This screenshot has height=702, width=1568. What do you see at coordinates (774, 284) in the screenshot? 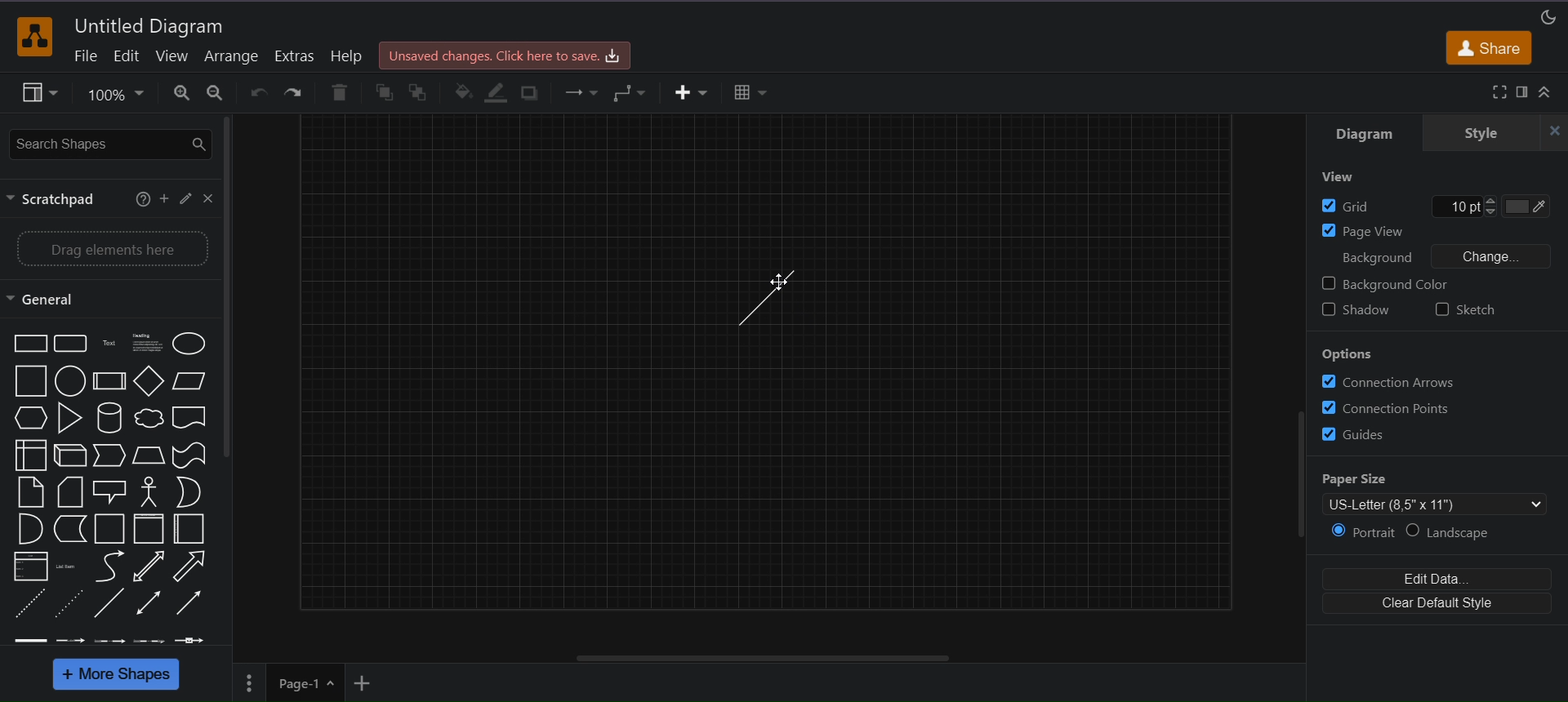
I see `Cursor` at bounding box center [774, 284].